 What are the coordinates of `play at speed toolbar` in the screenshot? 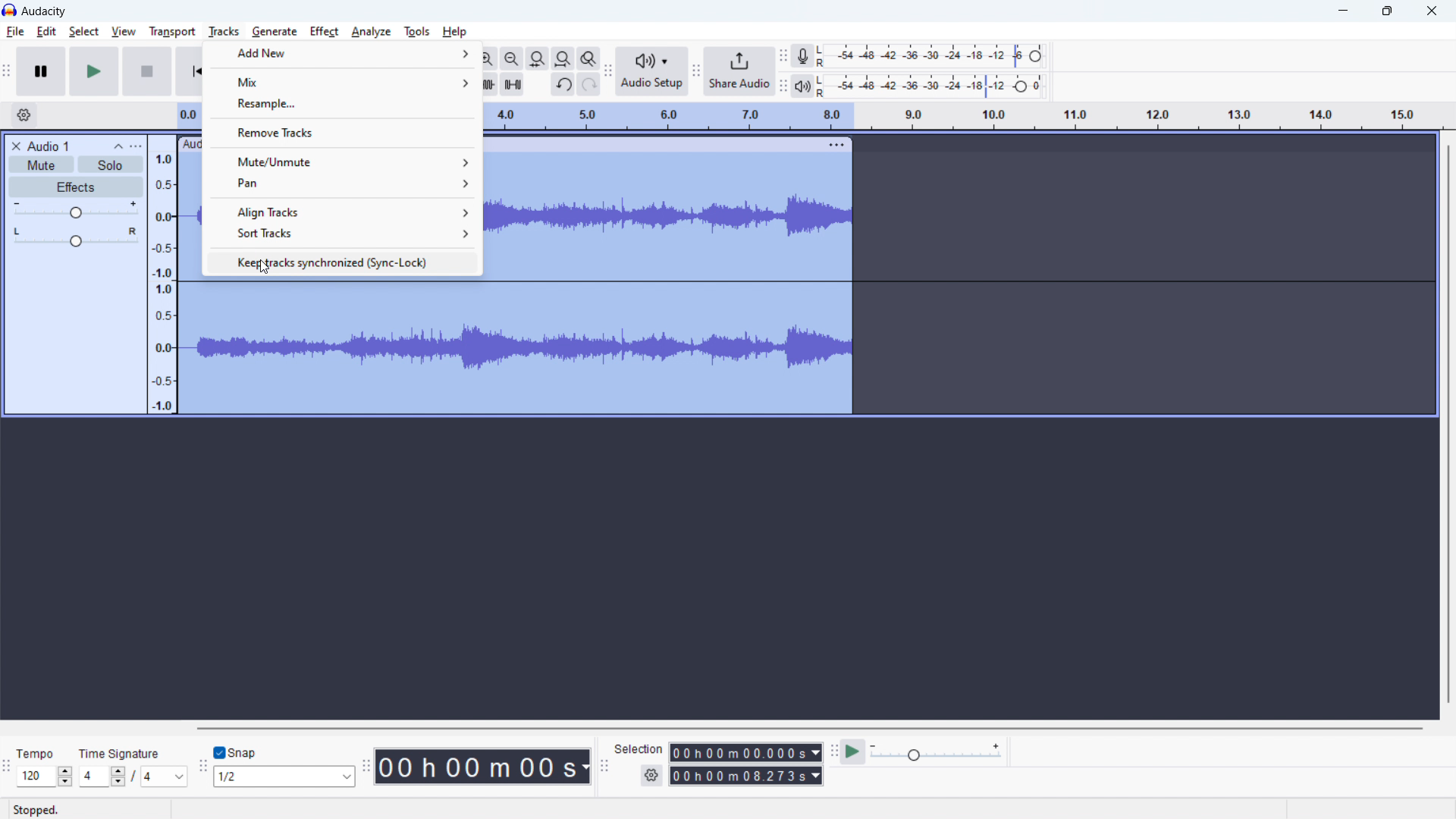 It's located at (833, 752).